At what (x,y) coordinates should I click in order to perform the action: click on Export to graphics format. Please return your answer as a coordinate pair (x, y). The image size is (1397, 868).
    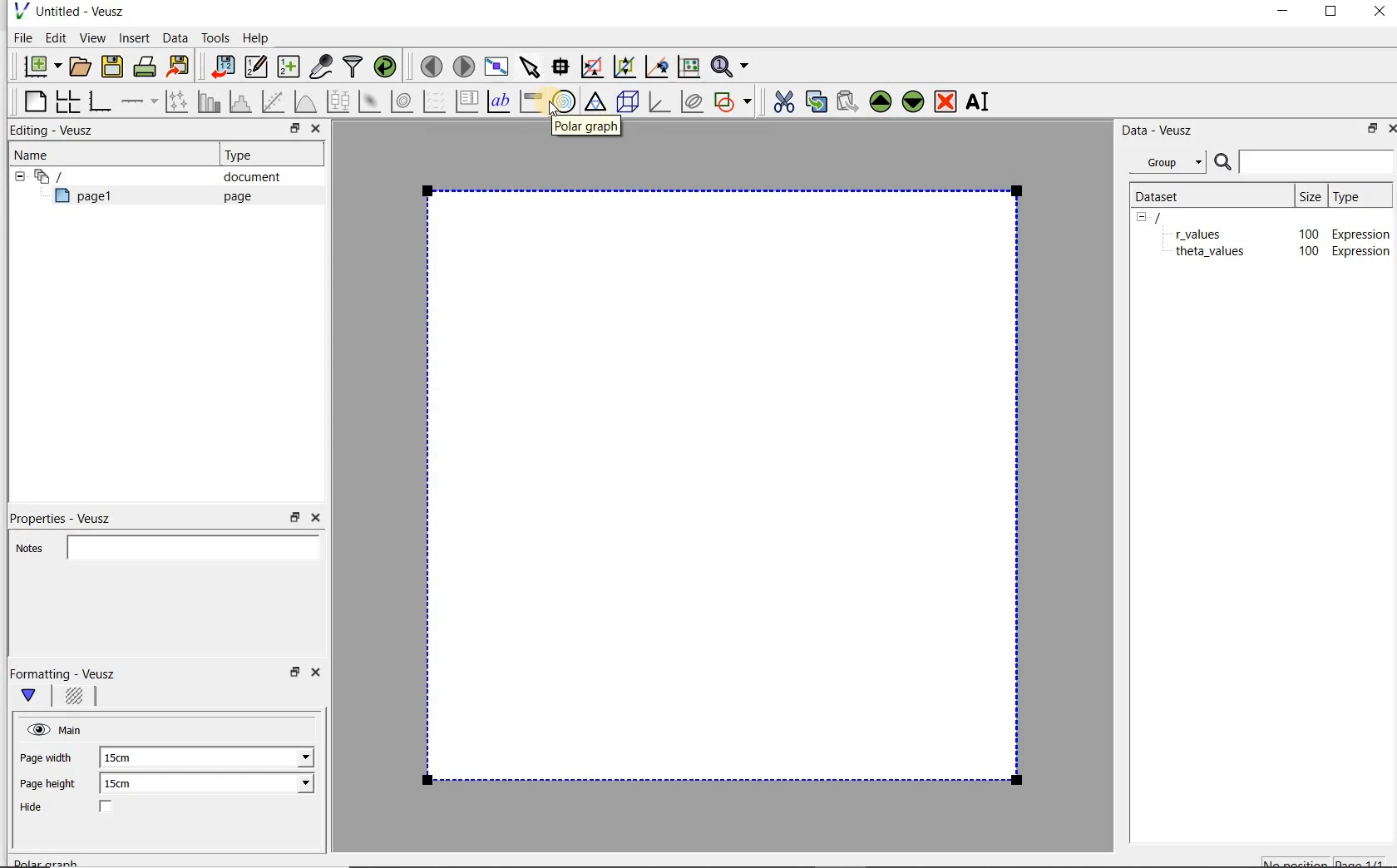
    Looking at the image, I should click on (179, 68).